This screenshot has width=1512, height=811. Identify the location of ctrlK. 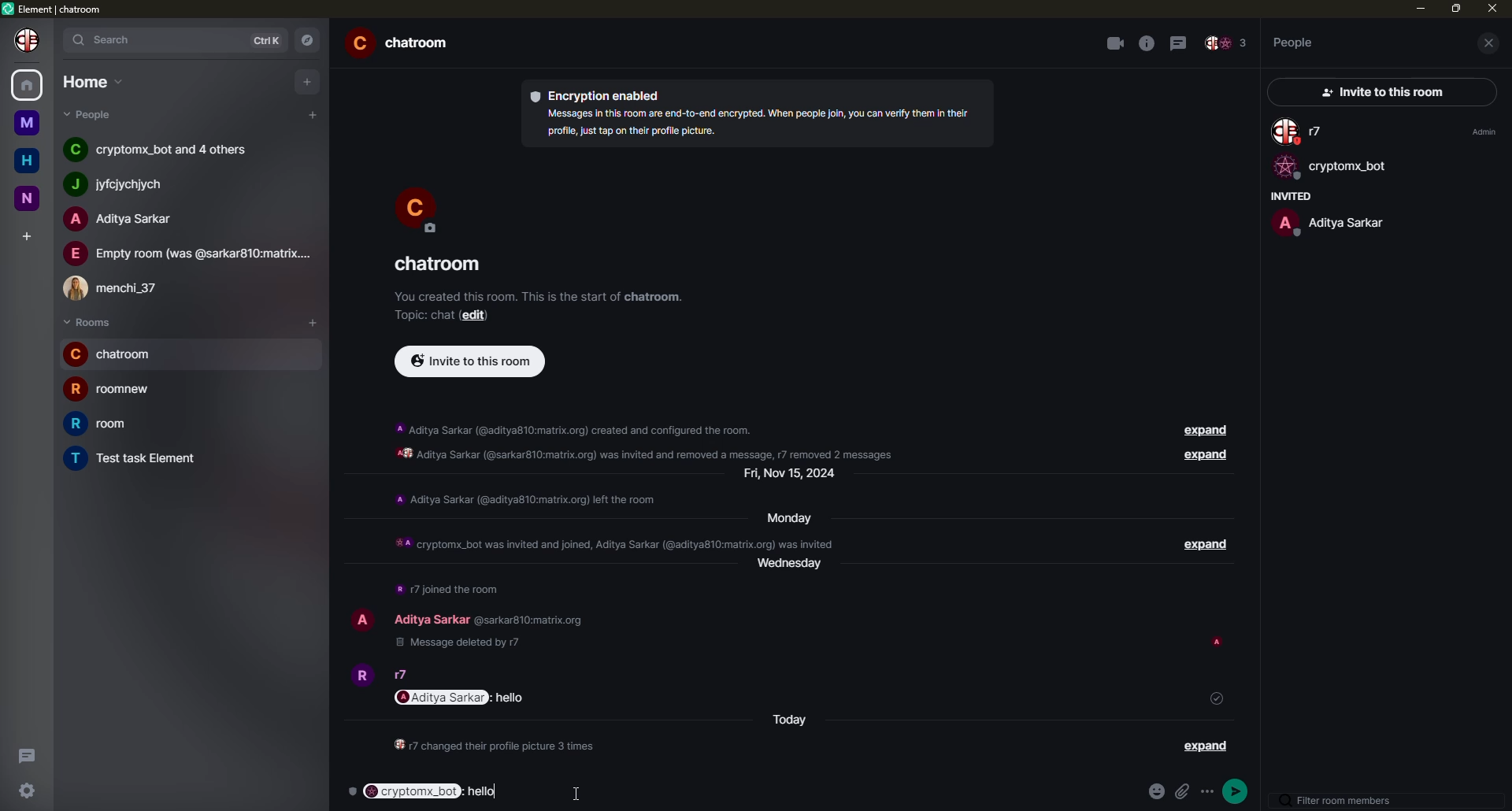
(267, 41).